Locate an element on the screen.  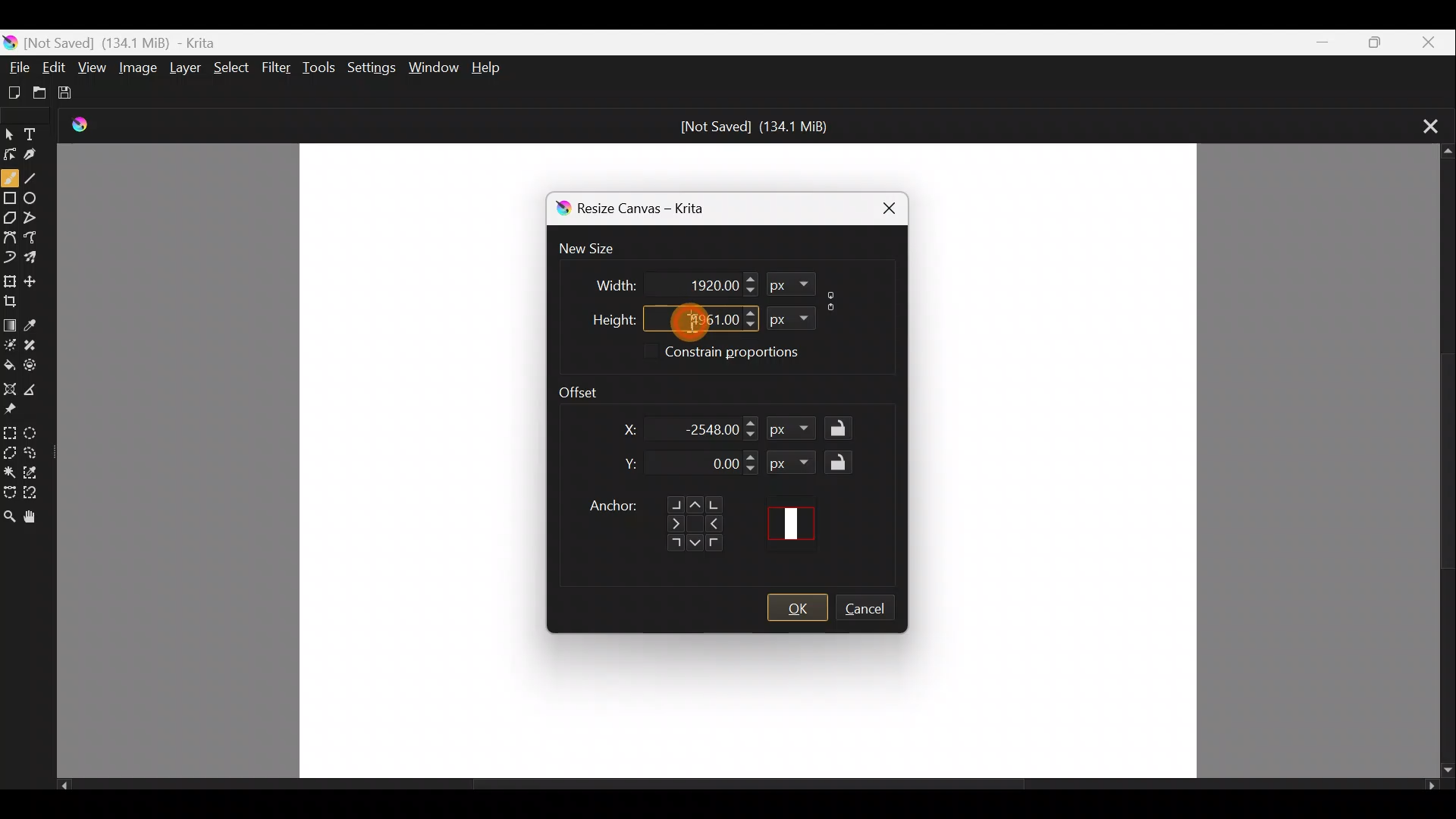
Crop the image to an area is located at coordinates (17, 301).